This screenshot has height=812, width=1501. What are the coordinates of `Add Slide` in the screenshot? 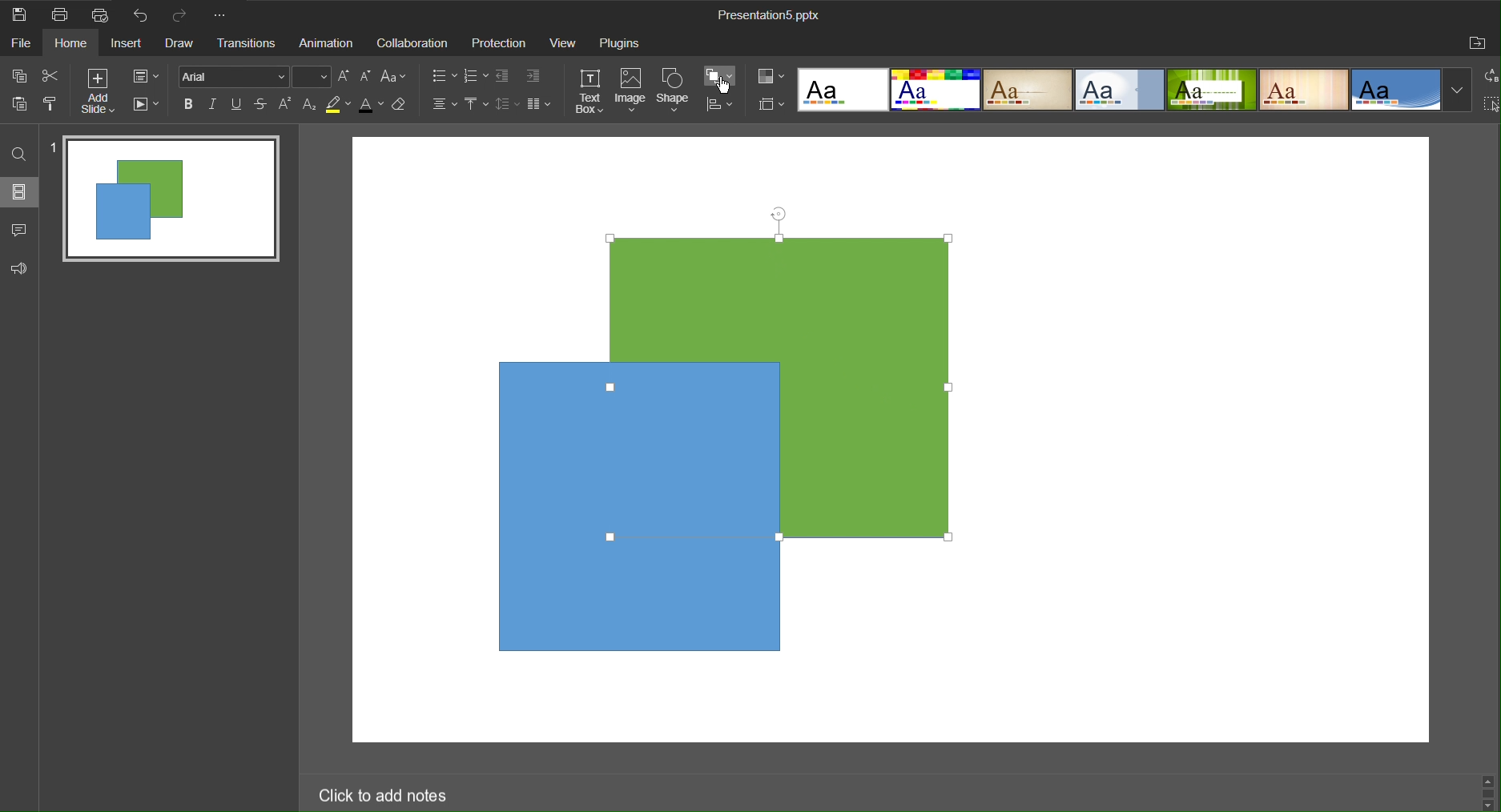 It's located at (98, 92).